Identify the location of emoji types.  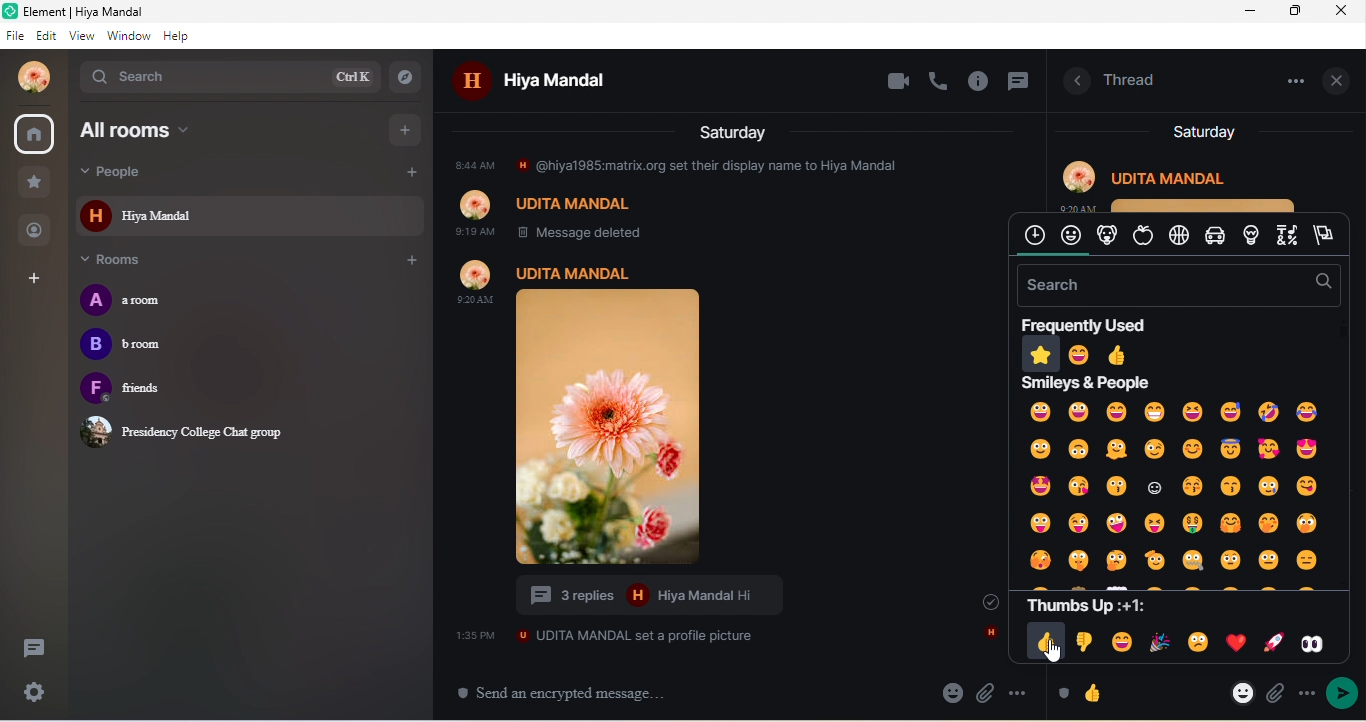
(1178, 236).